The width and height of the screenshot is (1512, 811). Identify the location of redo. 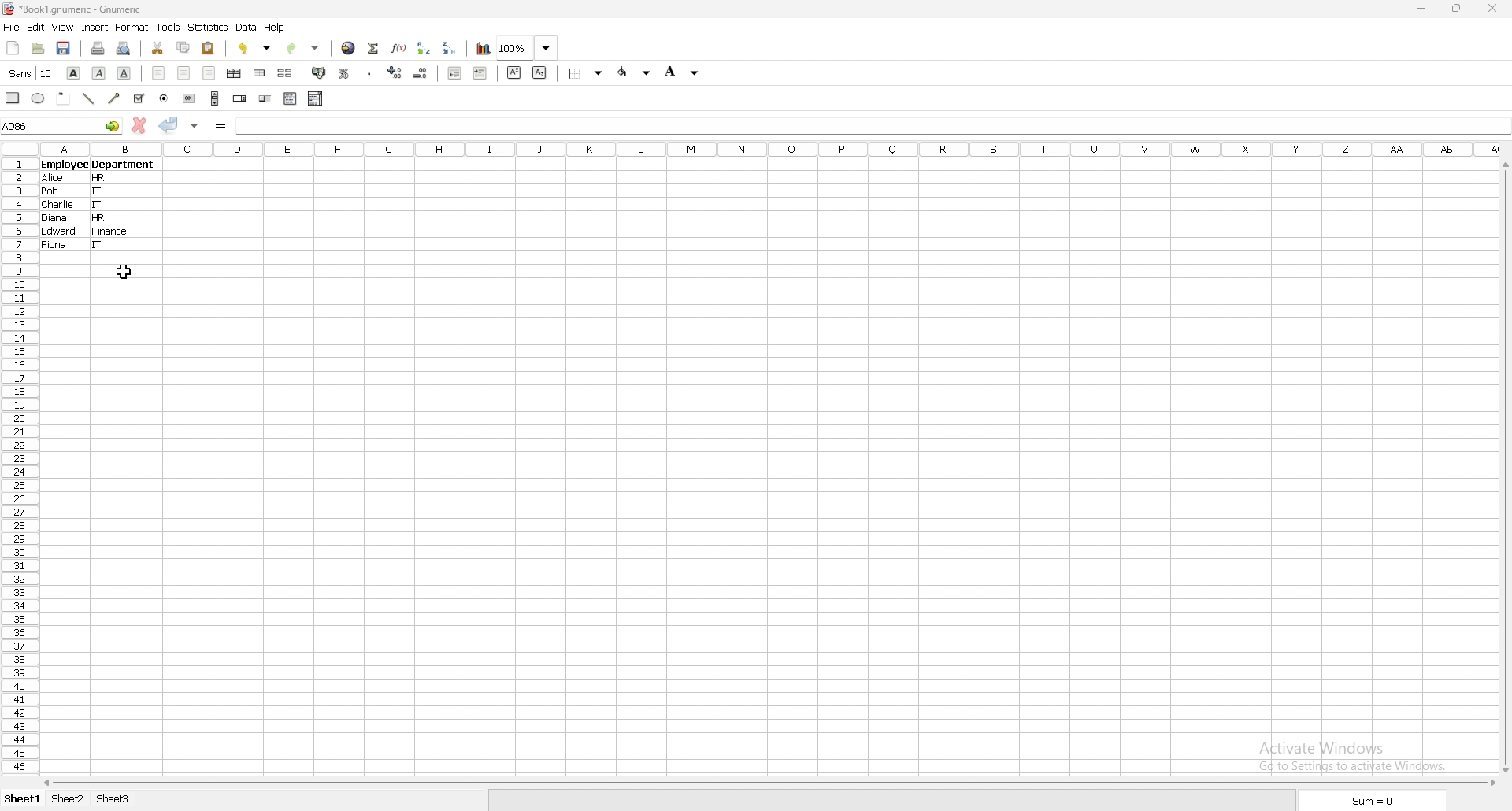
(304, 46).